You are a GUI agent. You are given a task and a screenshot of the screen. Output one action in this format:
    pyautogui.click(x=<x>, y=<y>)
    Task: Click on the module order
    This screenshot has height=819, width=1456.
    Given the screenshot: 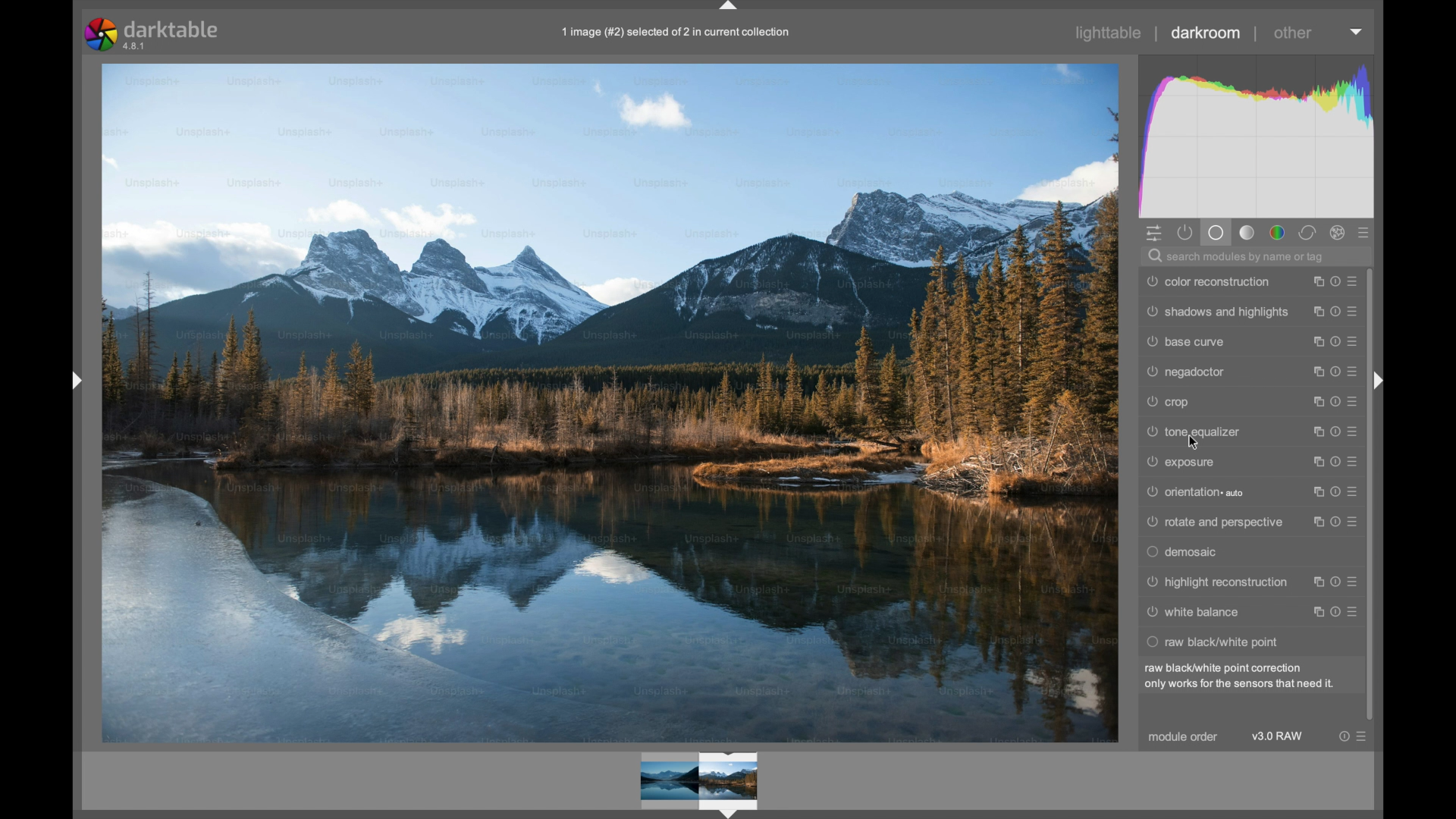 What is the action you would take?
    pyautogui.click(x=1183, y=738)
    